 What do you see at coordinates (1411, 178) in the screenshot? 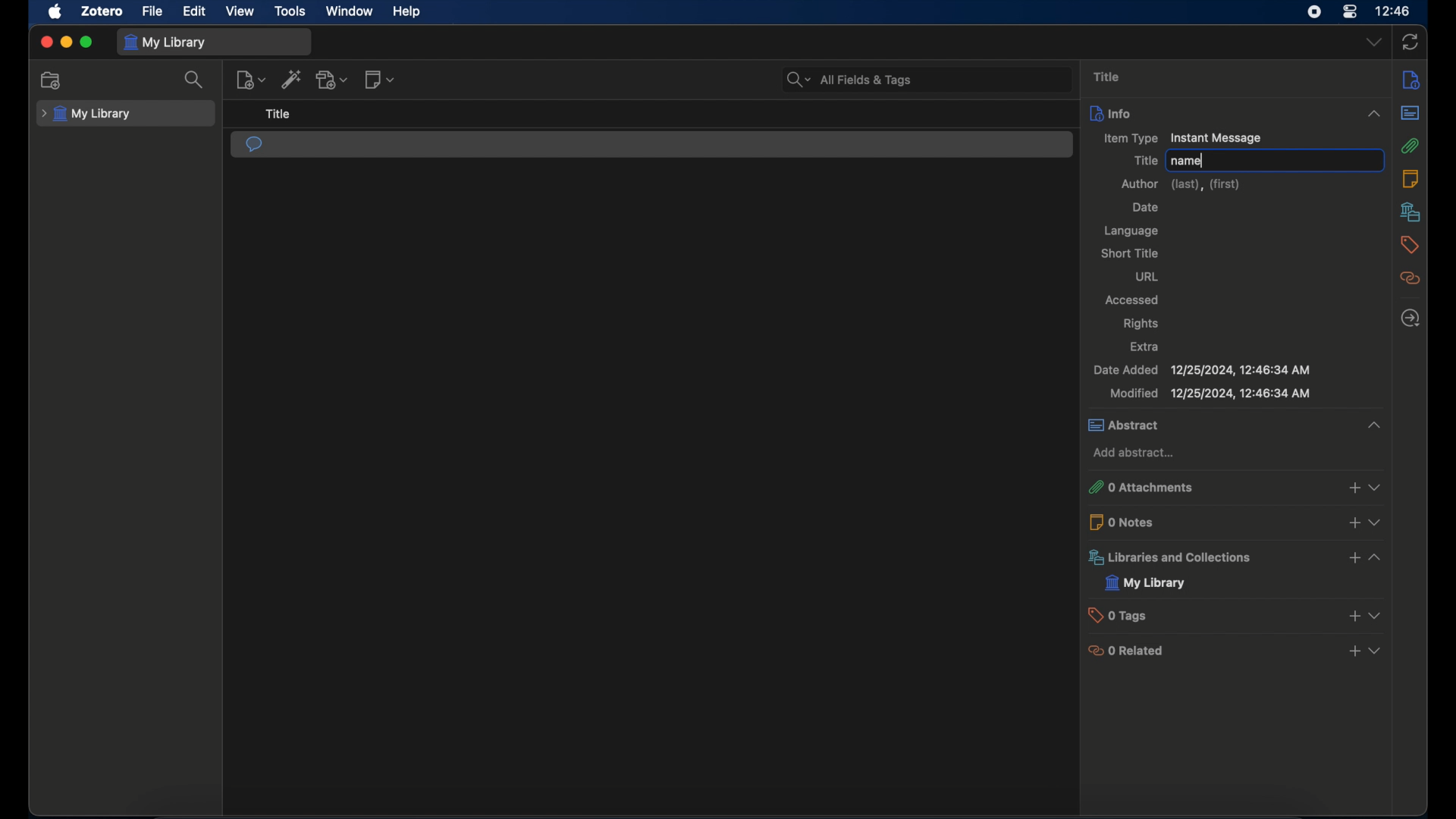
I see `notes` at bounding box center [1411, 178].